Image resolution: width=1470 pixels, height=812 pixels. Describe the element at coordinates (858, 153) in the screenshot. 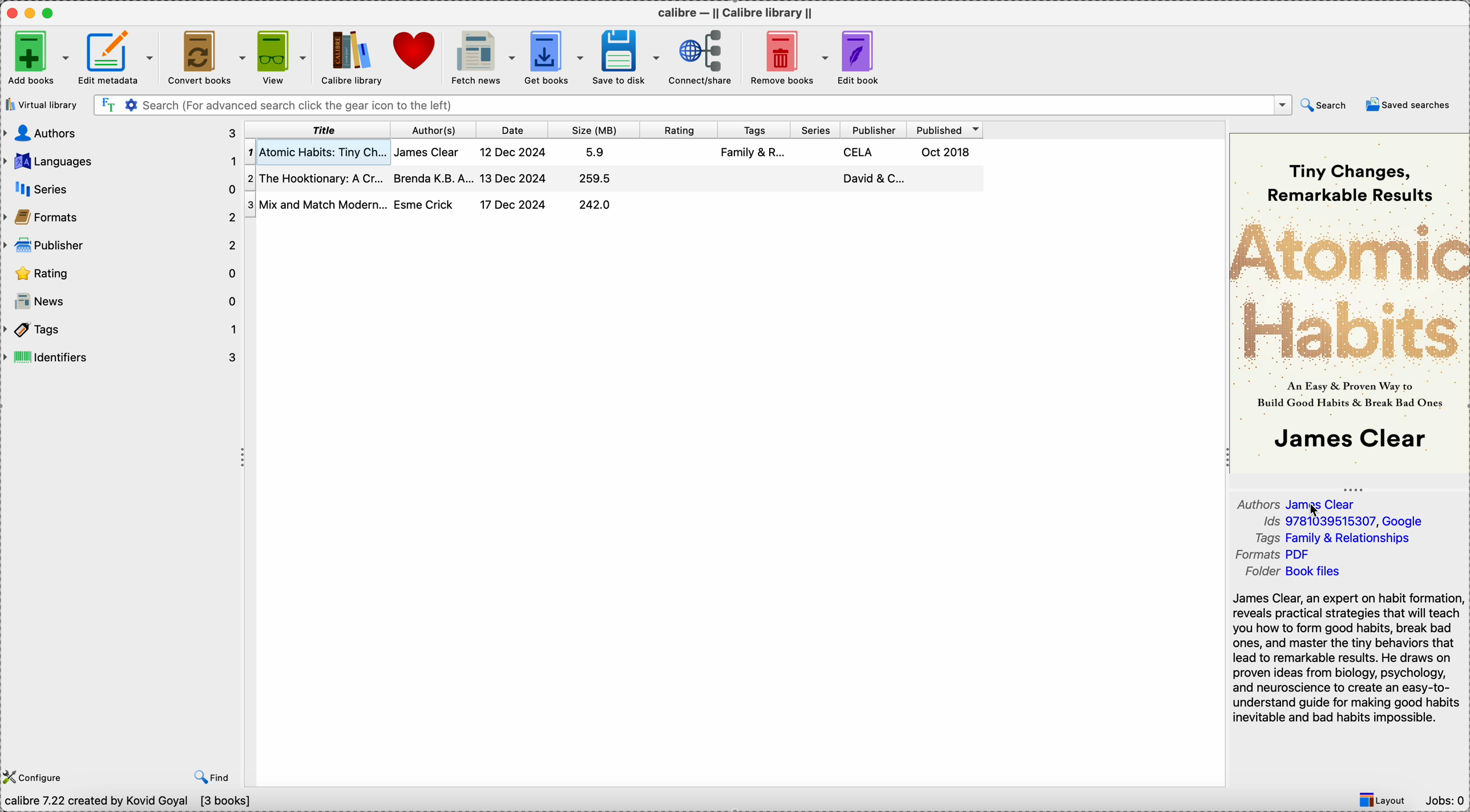

I see `CELA` at that location.